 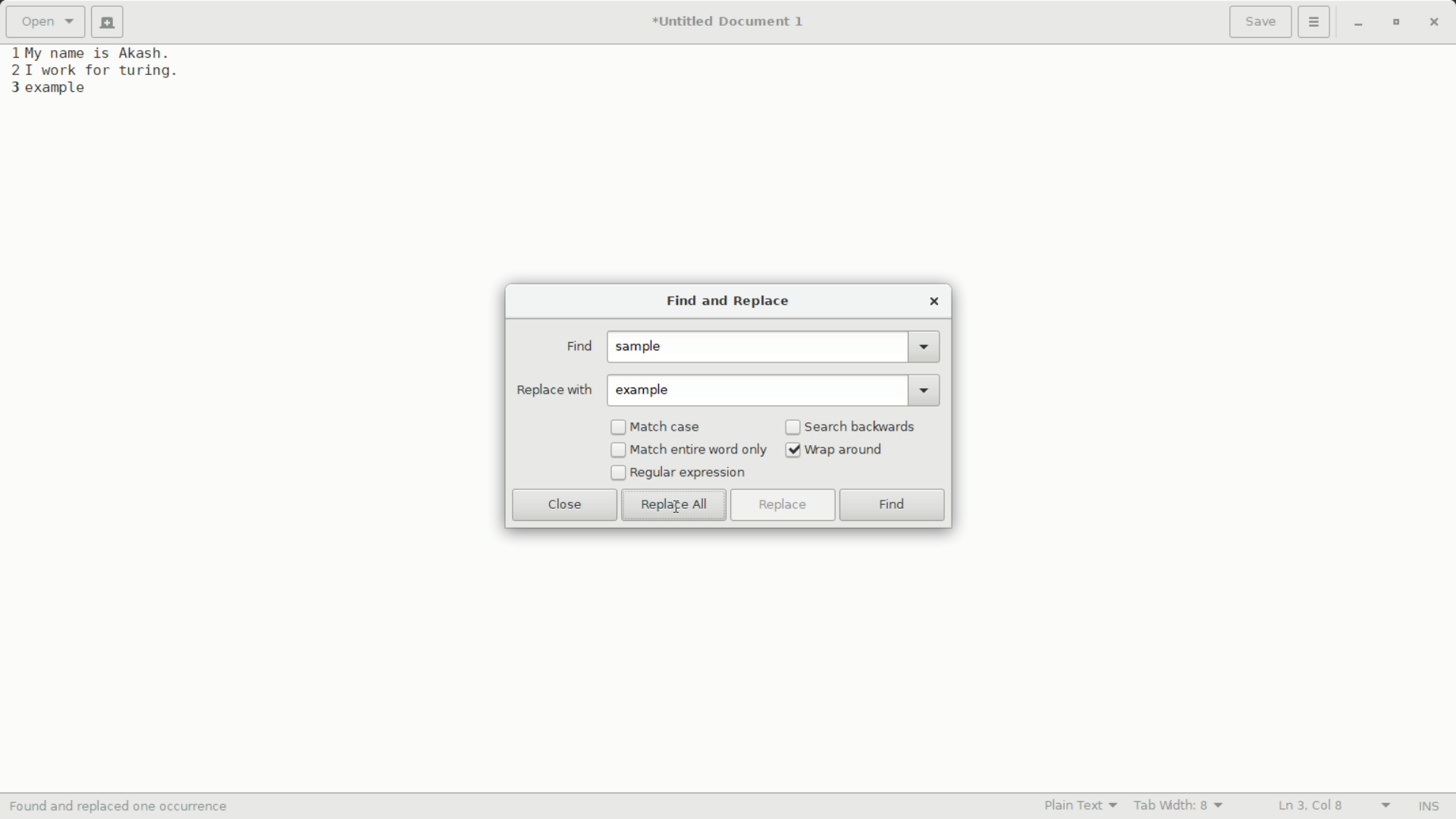 I want to click on more options, so click(x=1316, y=22).